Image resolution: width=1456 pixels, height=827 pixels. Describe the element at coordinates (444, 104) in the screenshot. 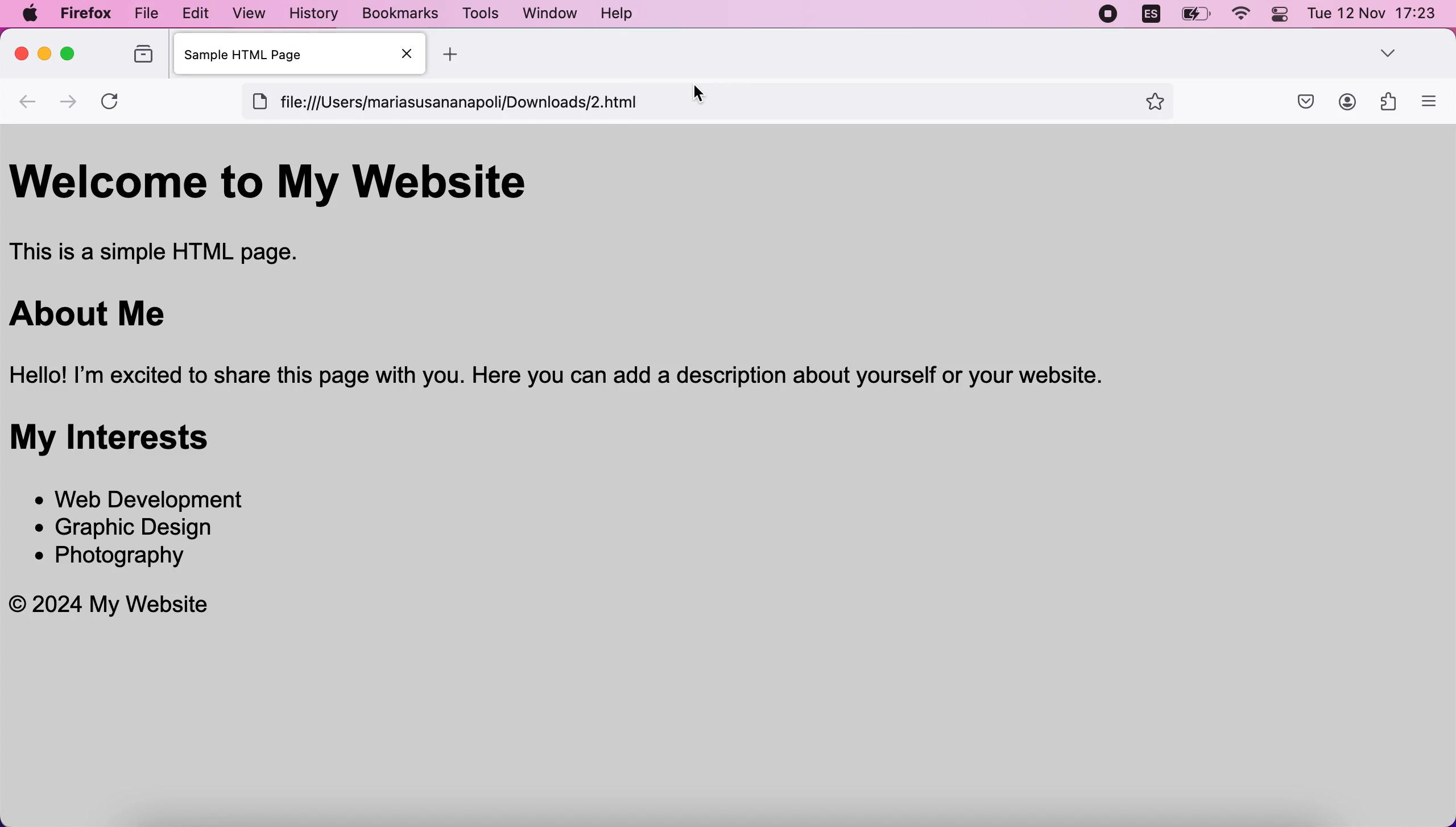

I see `[ file:///Users/mariasusananapoli/Downloads/2.html` at that location.